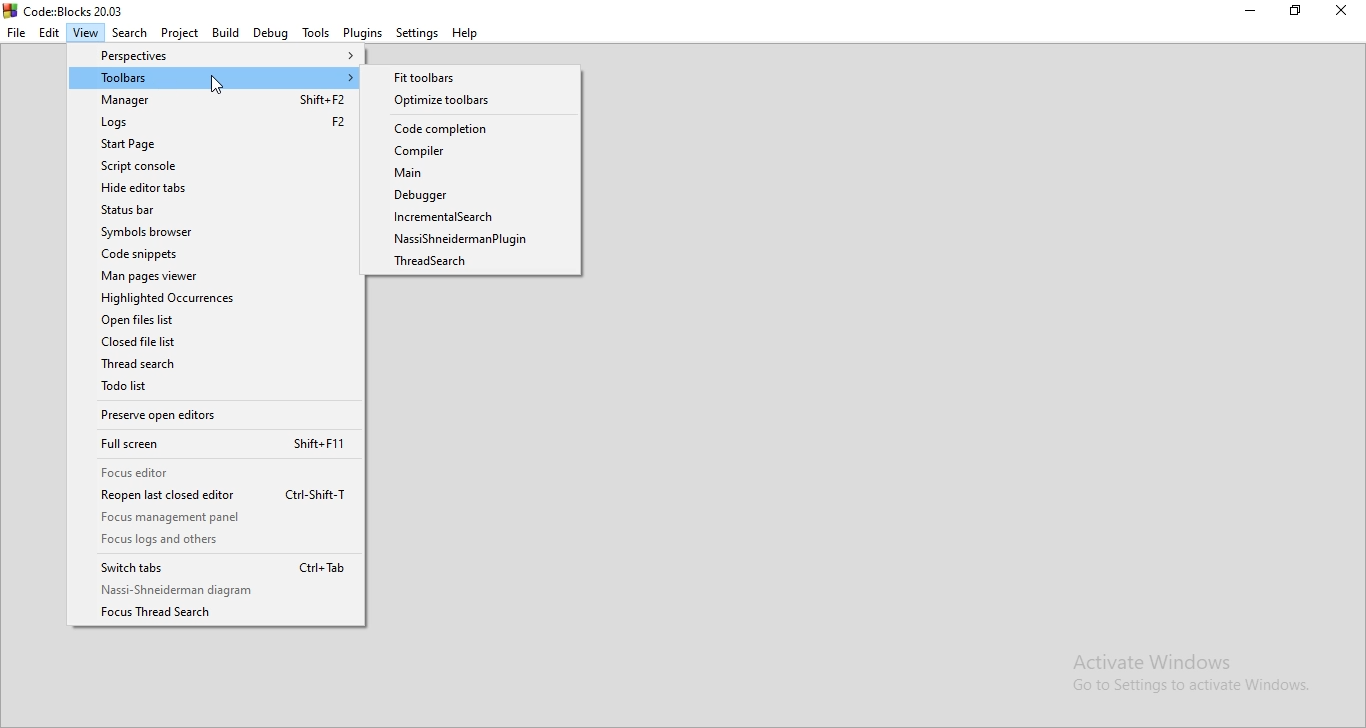 This screenshot has height=728, width=1366. What do you see at coordinates (219, 495) in the screenshot?
I see `Reopen last closed editor` at bounding box center [219, 495].